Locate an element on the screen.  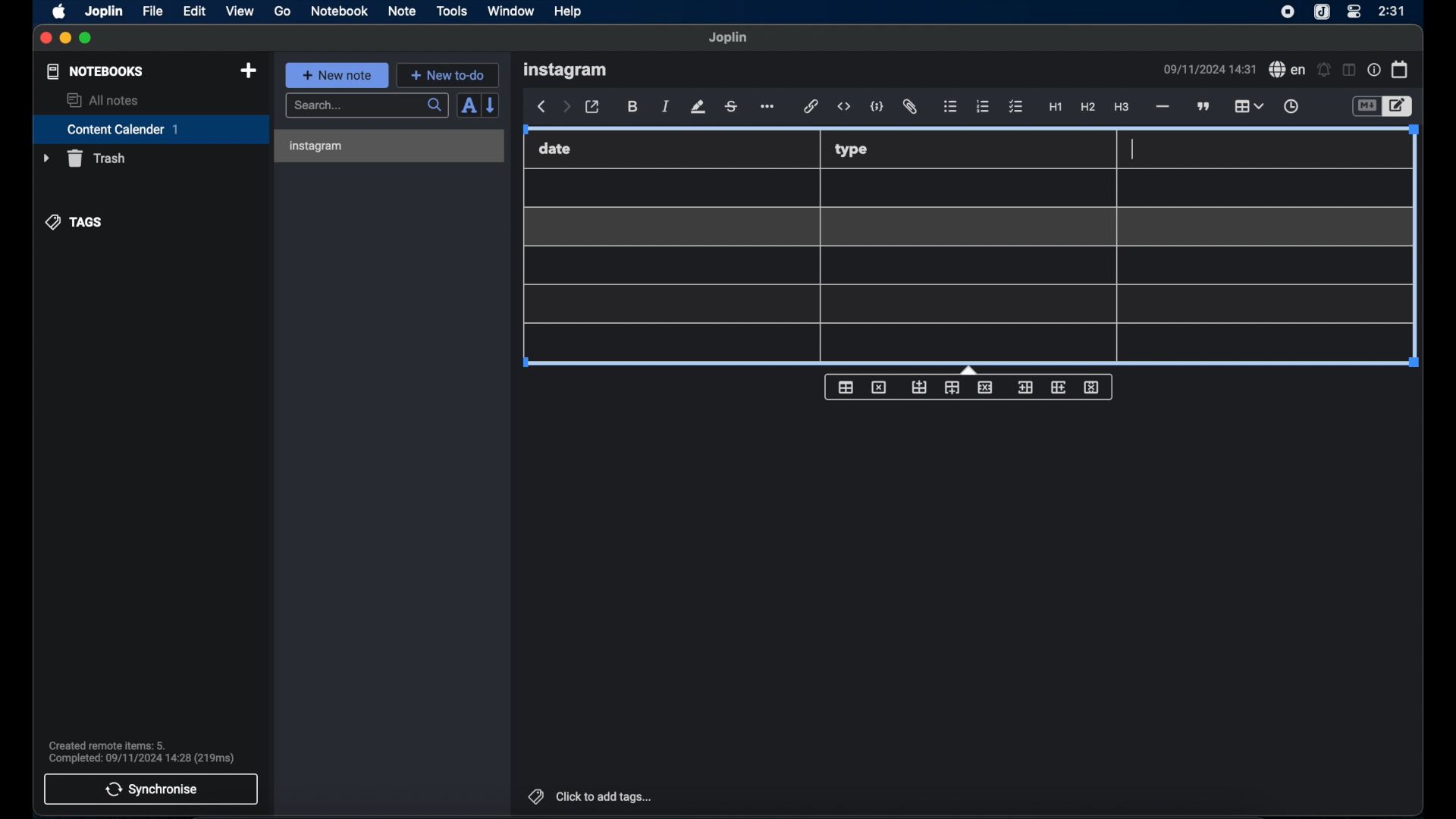
note properties is located at coordinates (1374, 69).